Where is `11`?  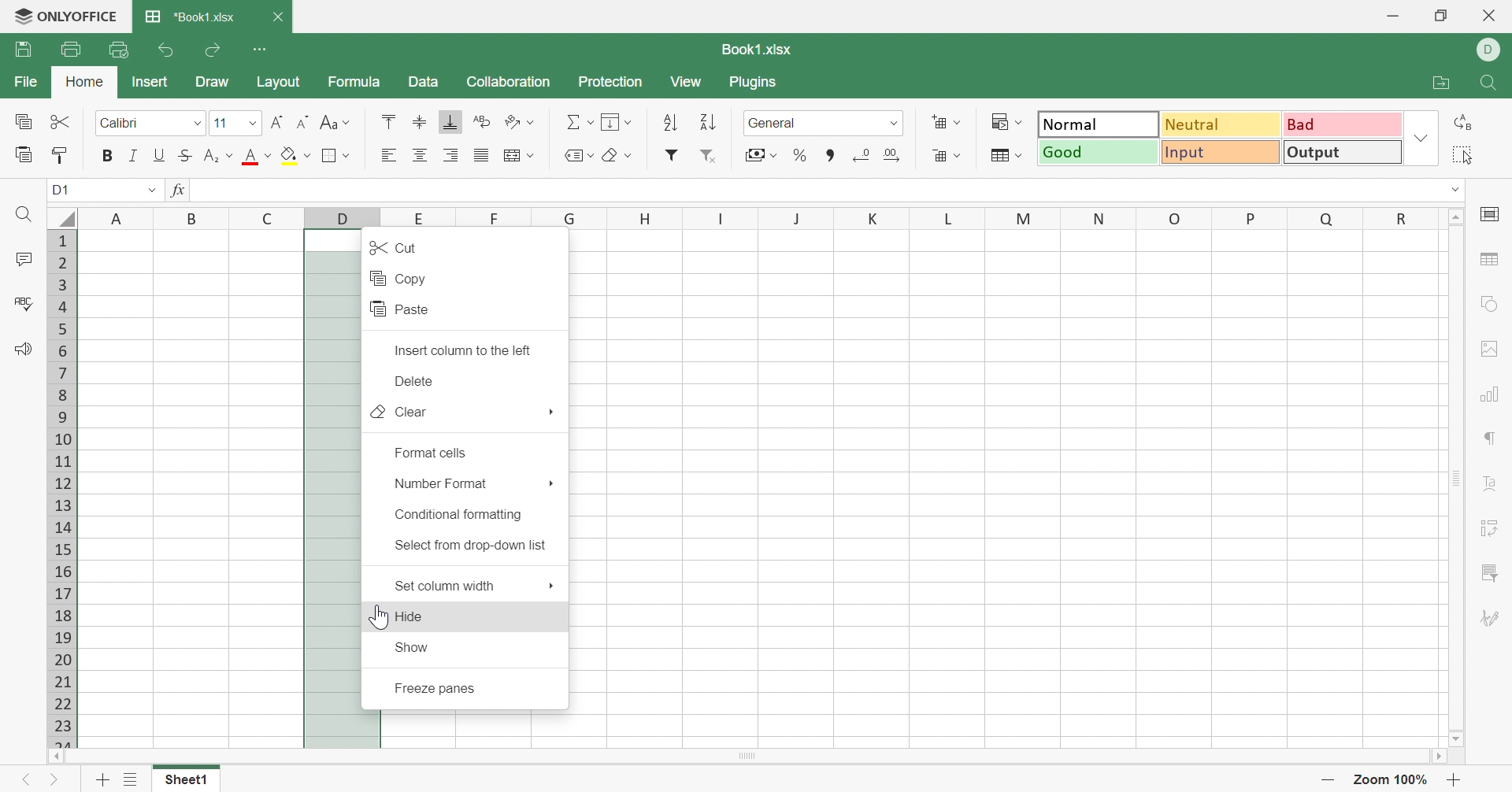 11 is located at coordinates (220, 122).